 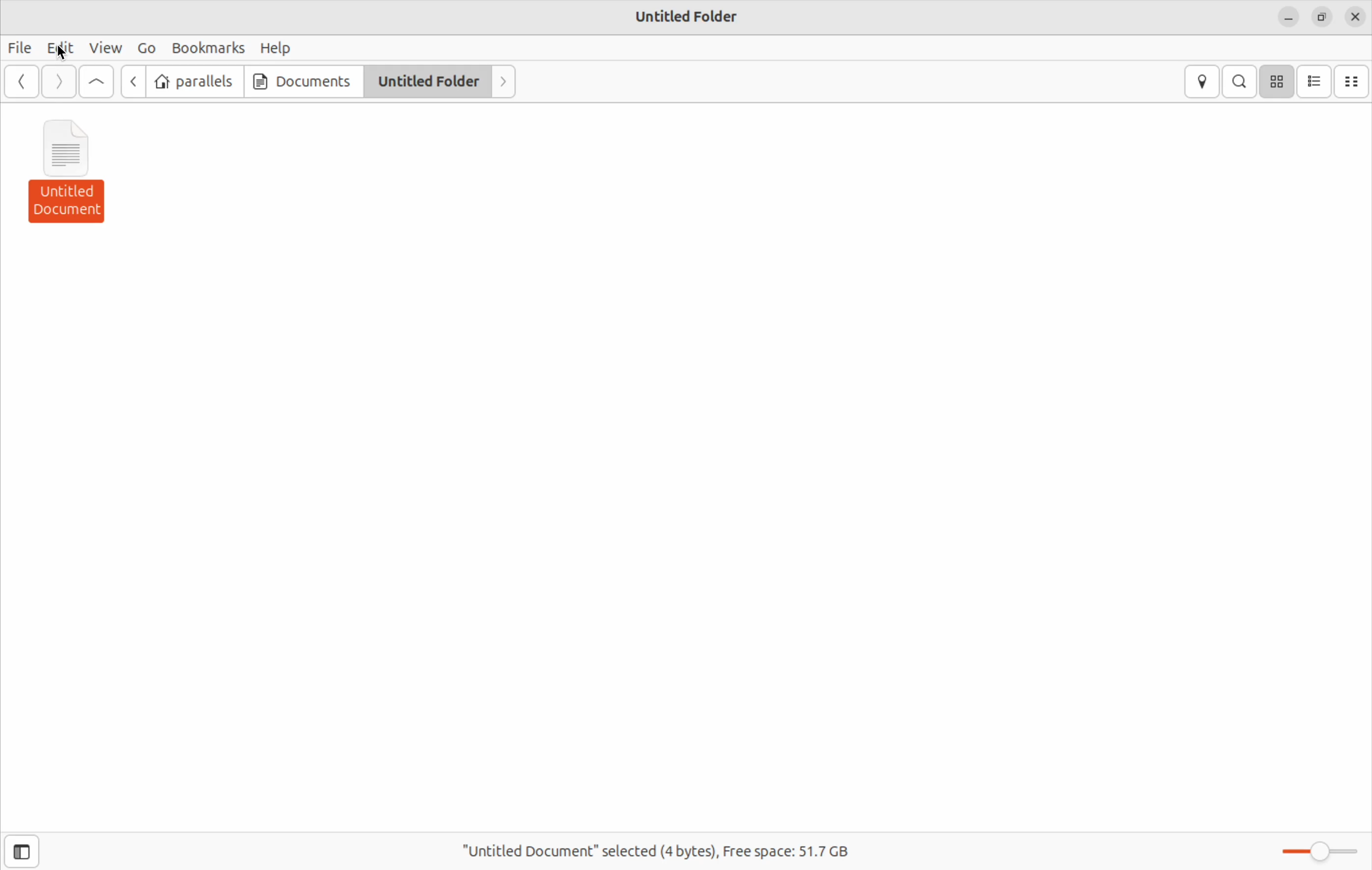 What do you see at coordinates (22, 83) in the screenshot?
I see `backward` at bounding box center [22, 83].